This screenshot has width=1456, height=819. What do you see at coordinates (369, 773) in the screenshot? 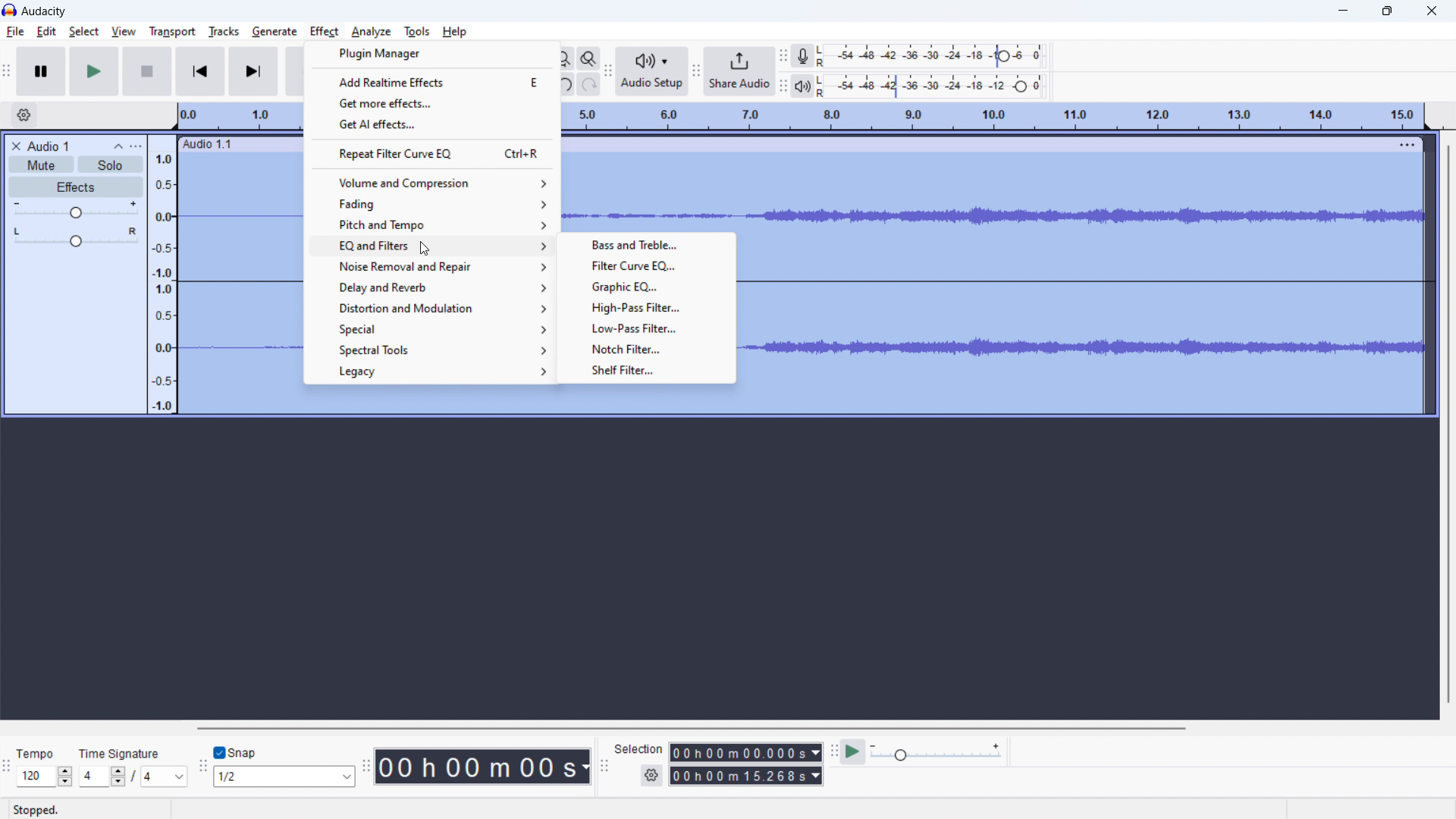
I see `time toolbar` at bounding box center [369, 773].